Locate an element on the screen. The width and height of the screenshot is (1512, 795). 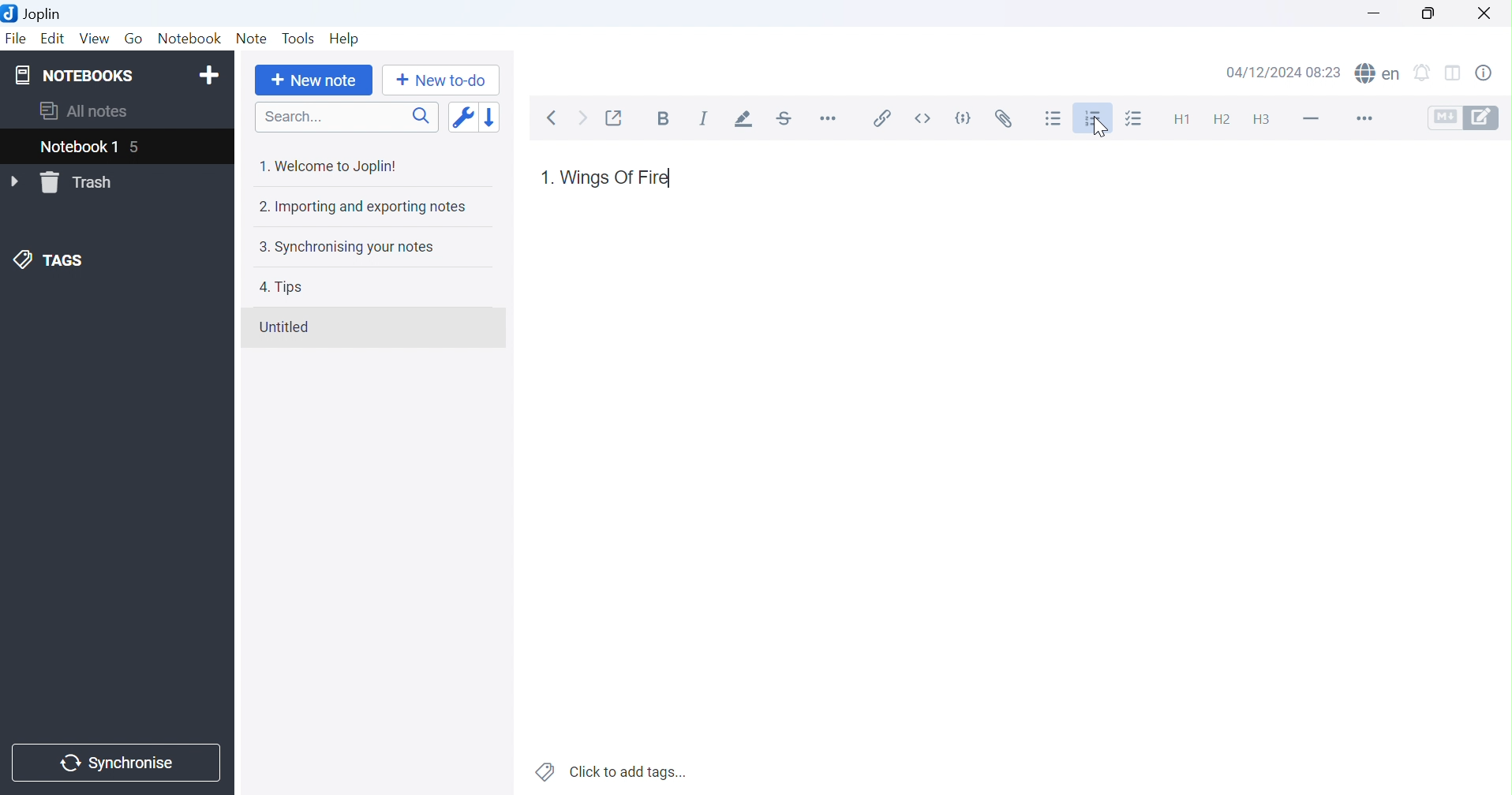
Toggle editors is located at coordinates (1463, 117).